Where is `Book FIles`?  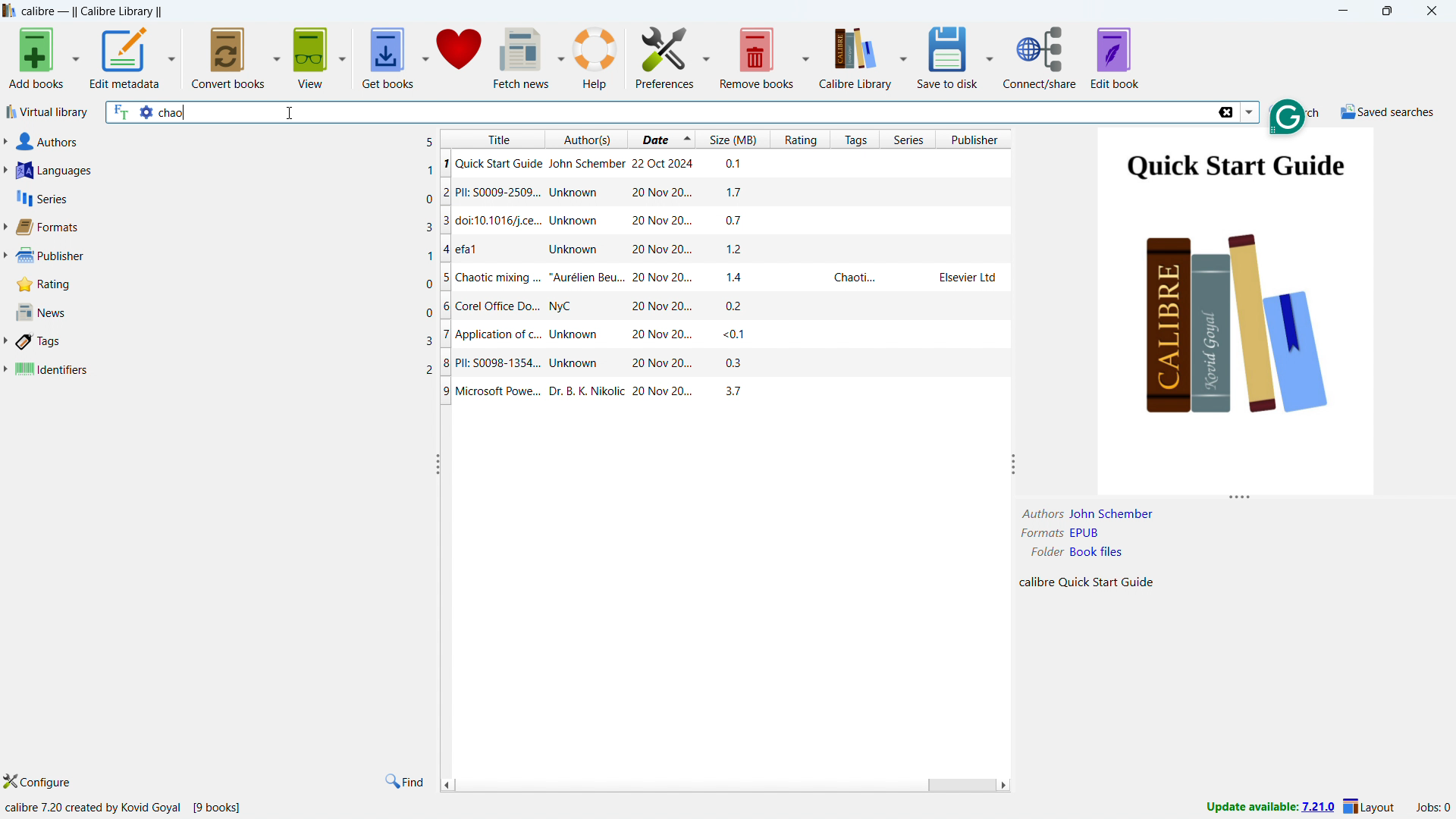
Book FIles is located at coordinates (1103, 554).